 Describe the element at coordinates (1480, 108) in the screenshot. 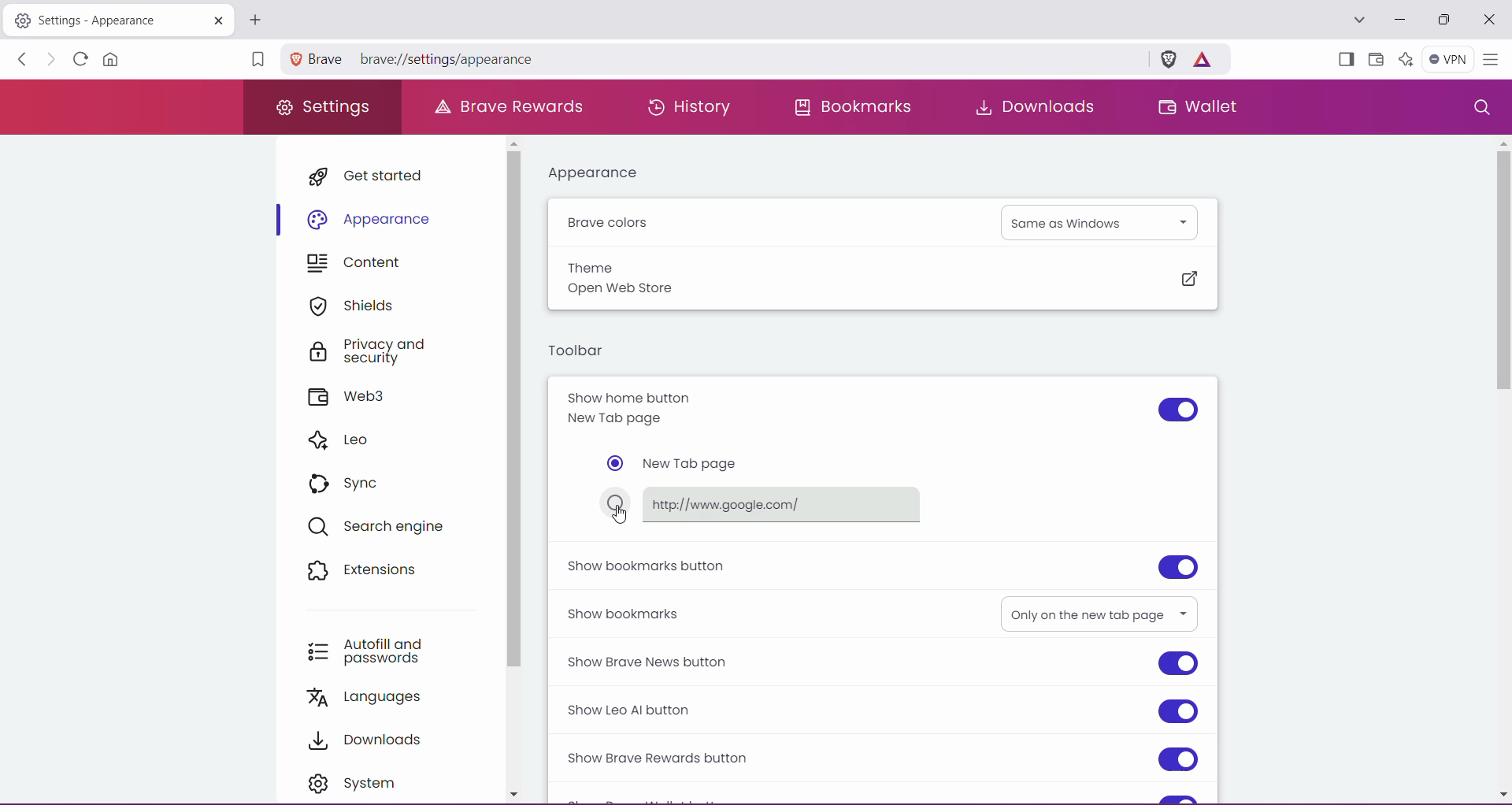

I see `Search Settings` at that location.